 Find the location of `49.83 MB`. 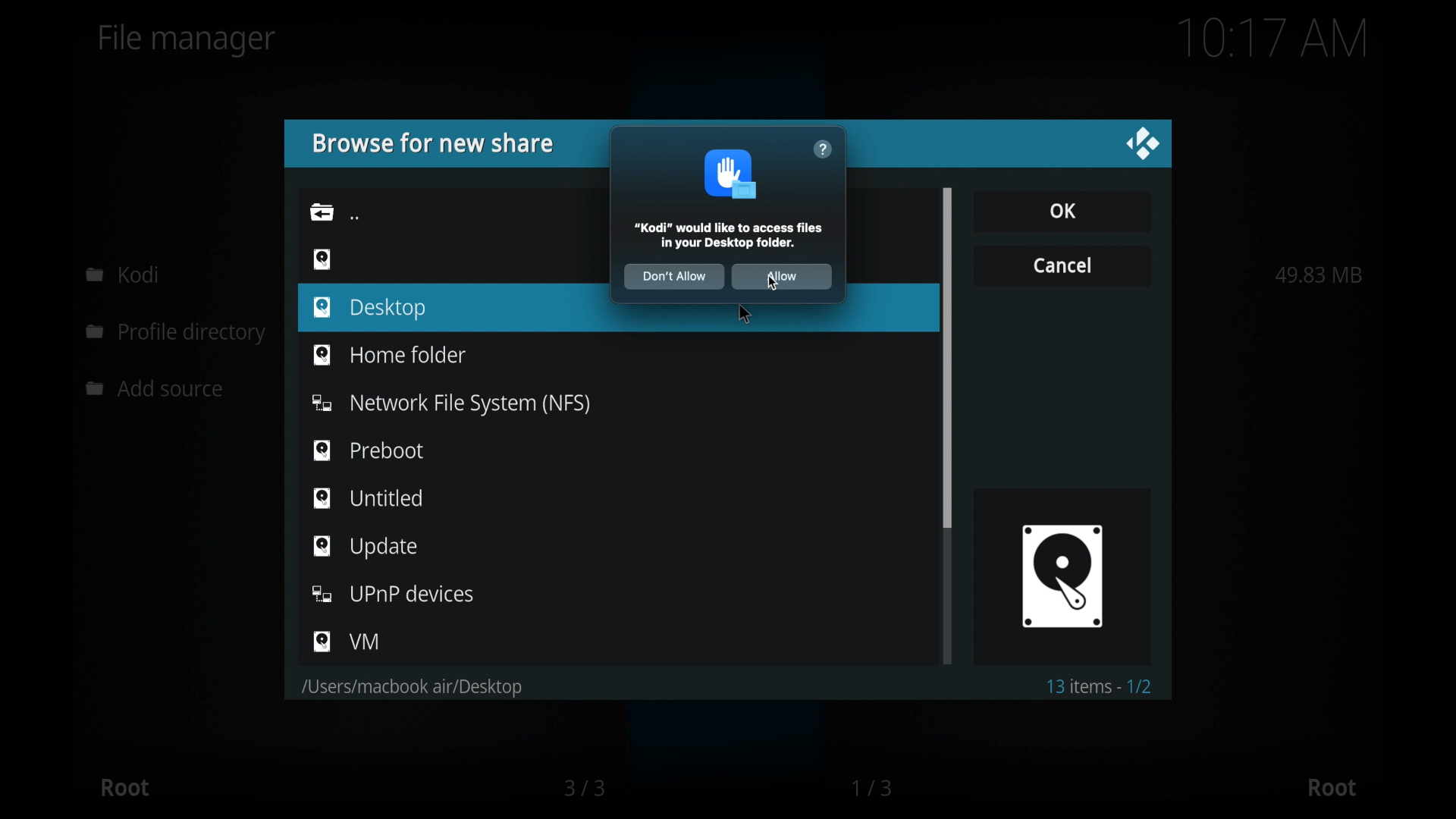

49.83 MB is located at coordinates (1319, 275).